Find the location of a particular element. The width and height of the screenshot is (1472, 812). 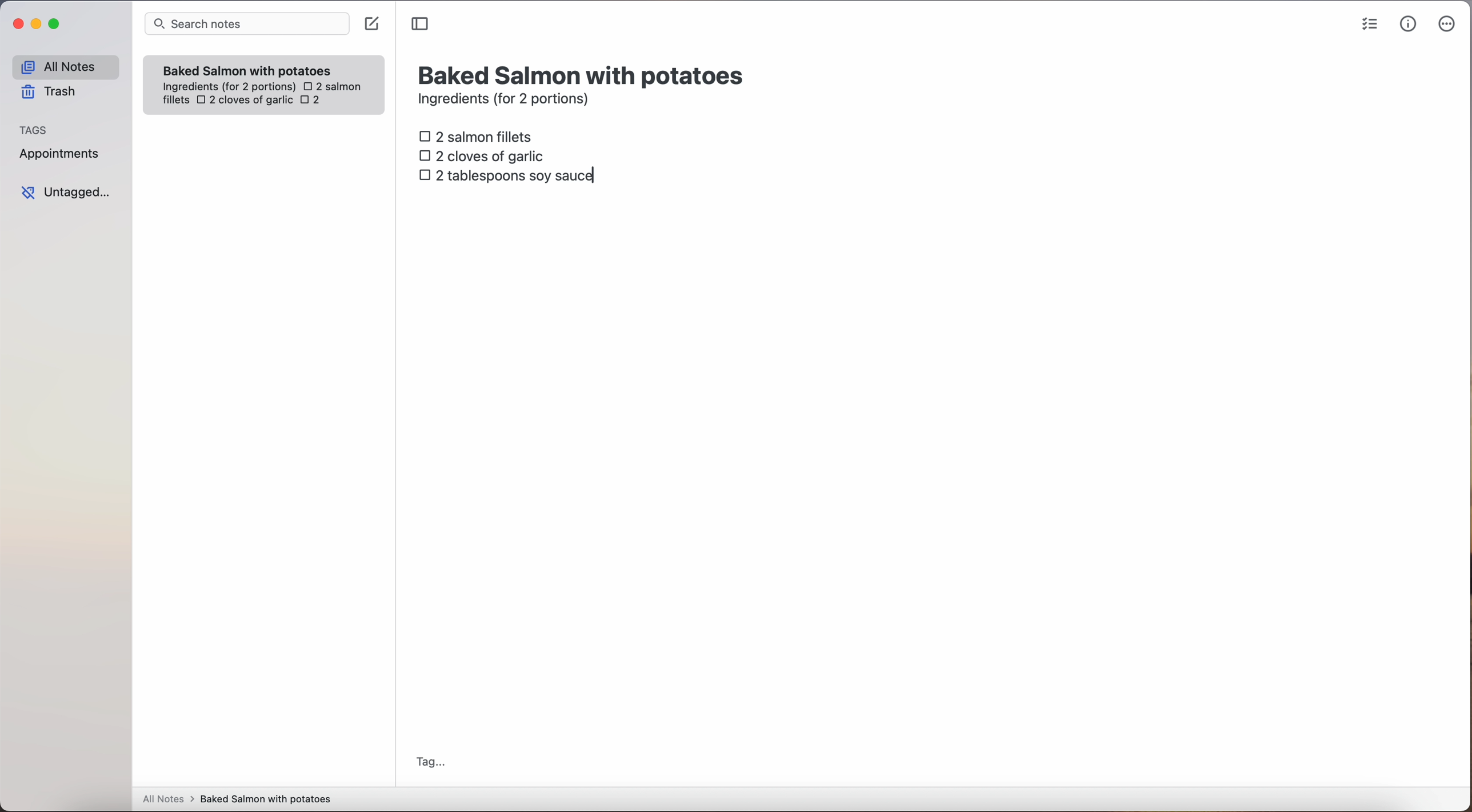

metrics is located at coordinates (1409, 23).